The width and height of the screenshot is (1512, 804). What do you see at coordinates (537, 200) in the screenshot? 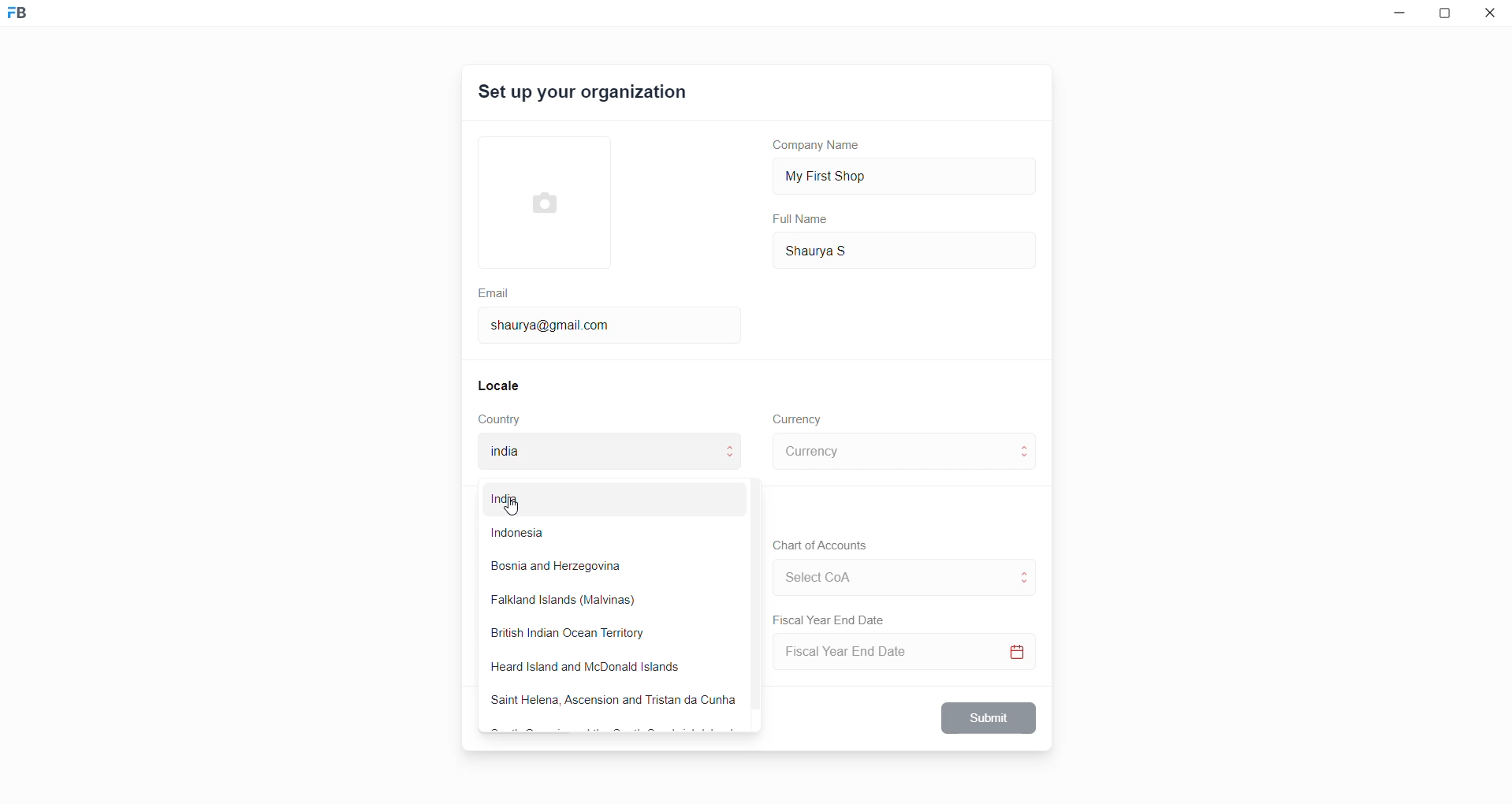
I see `select Profile picture` at bounding box center [537, 200].